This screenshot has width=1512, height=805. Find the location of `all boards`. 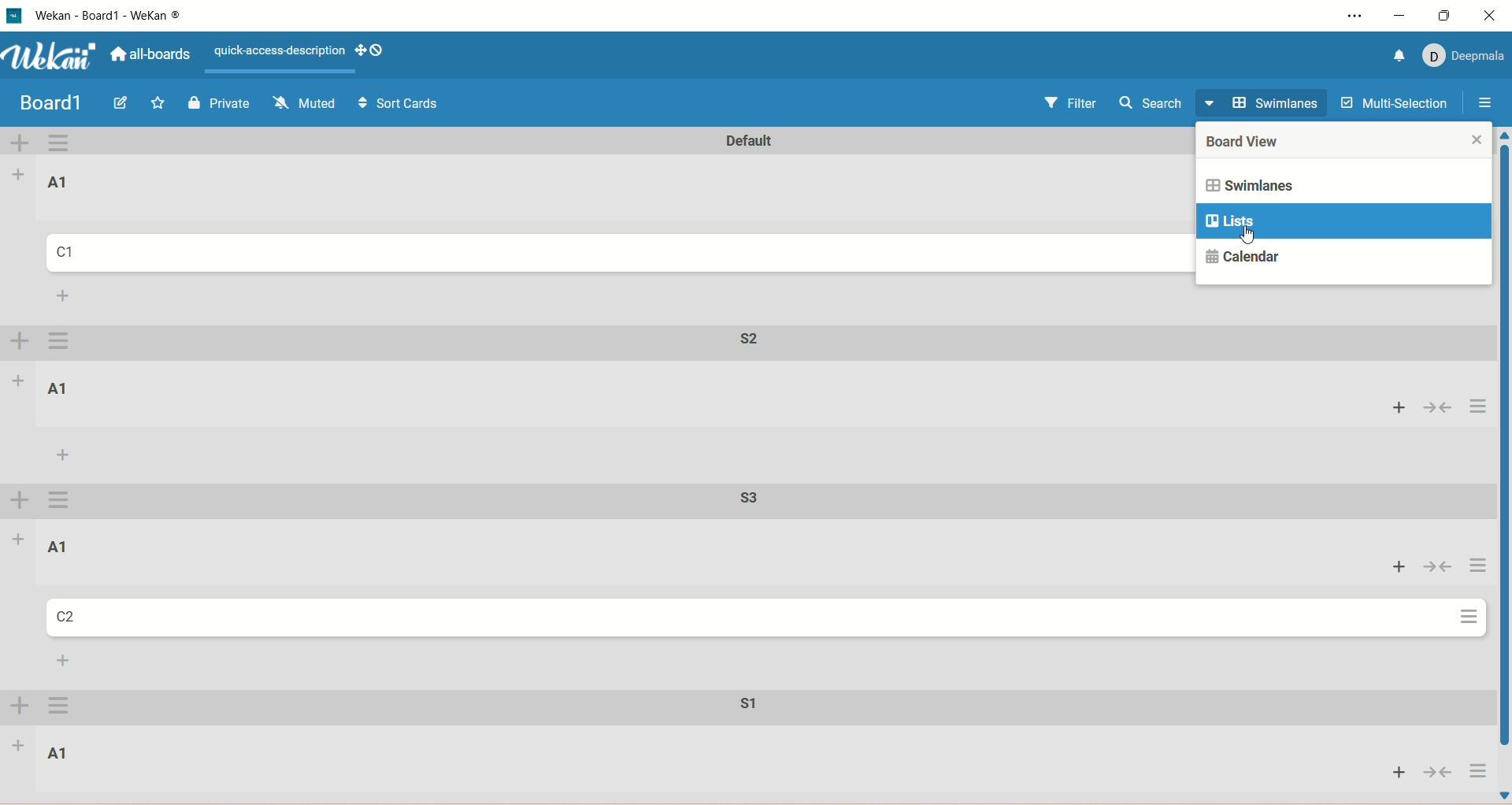

all boards is located at coordinates (155, 58).